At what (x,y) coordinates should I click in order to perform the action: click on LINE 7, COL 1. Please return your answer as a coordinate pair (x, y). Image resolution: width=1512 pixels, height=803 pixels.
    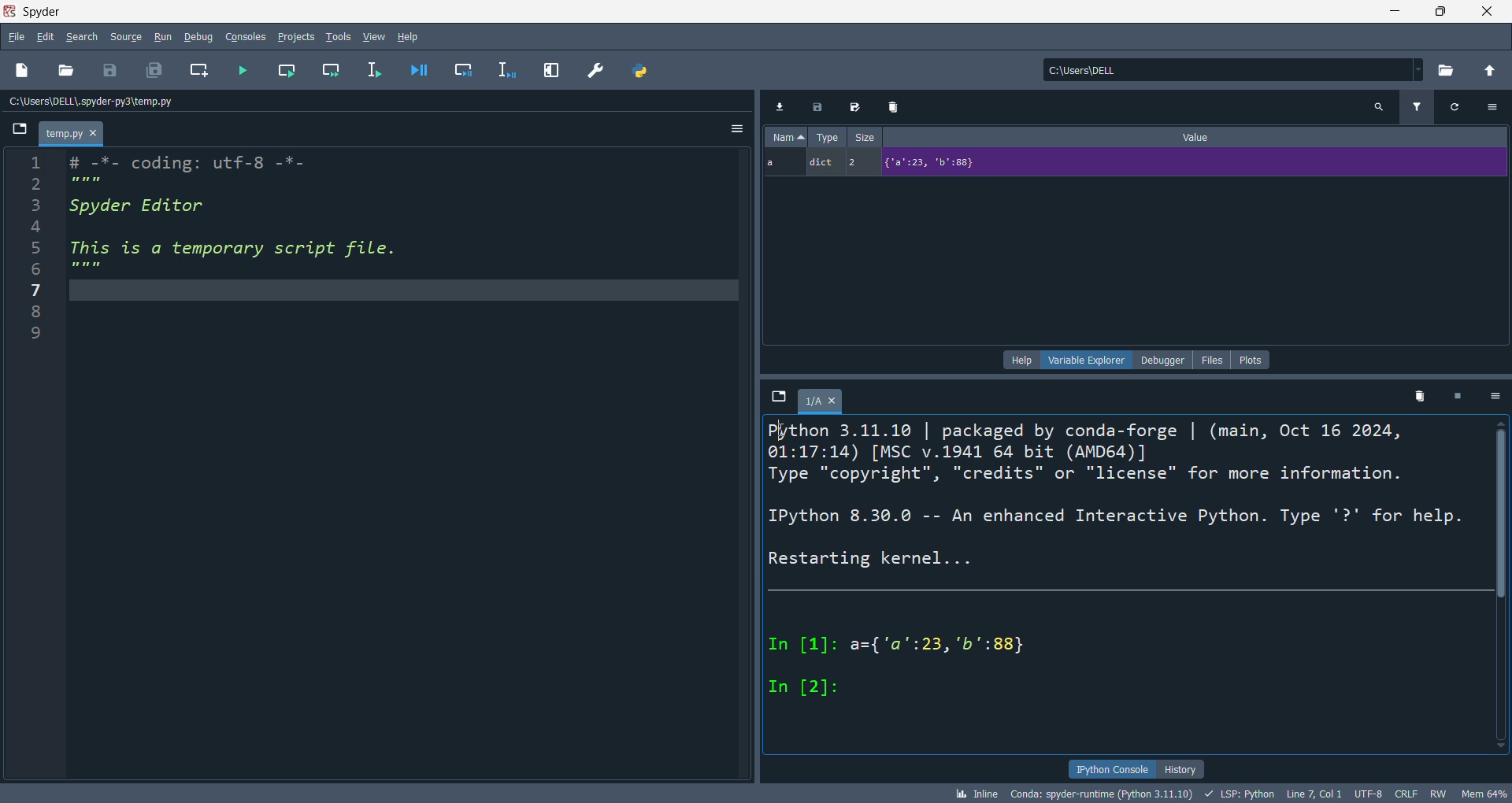
    Looking at the image, I should click on (1313, 794).